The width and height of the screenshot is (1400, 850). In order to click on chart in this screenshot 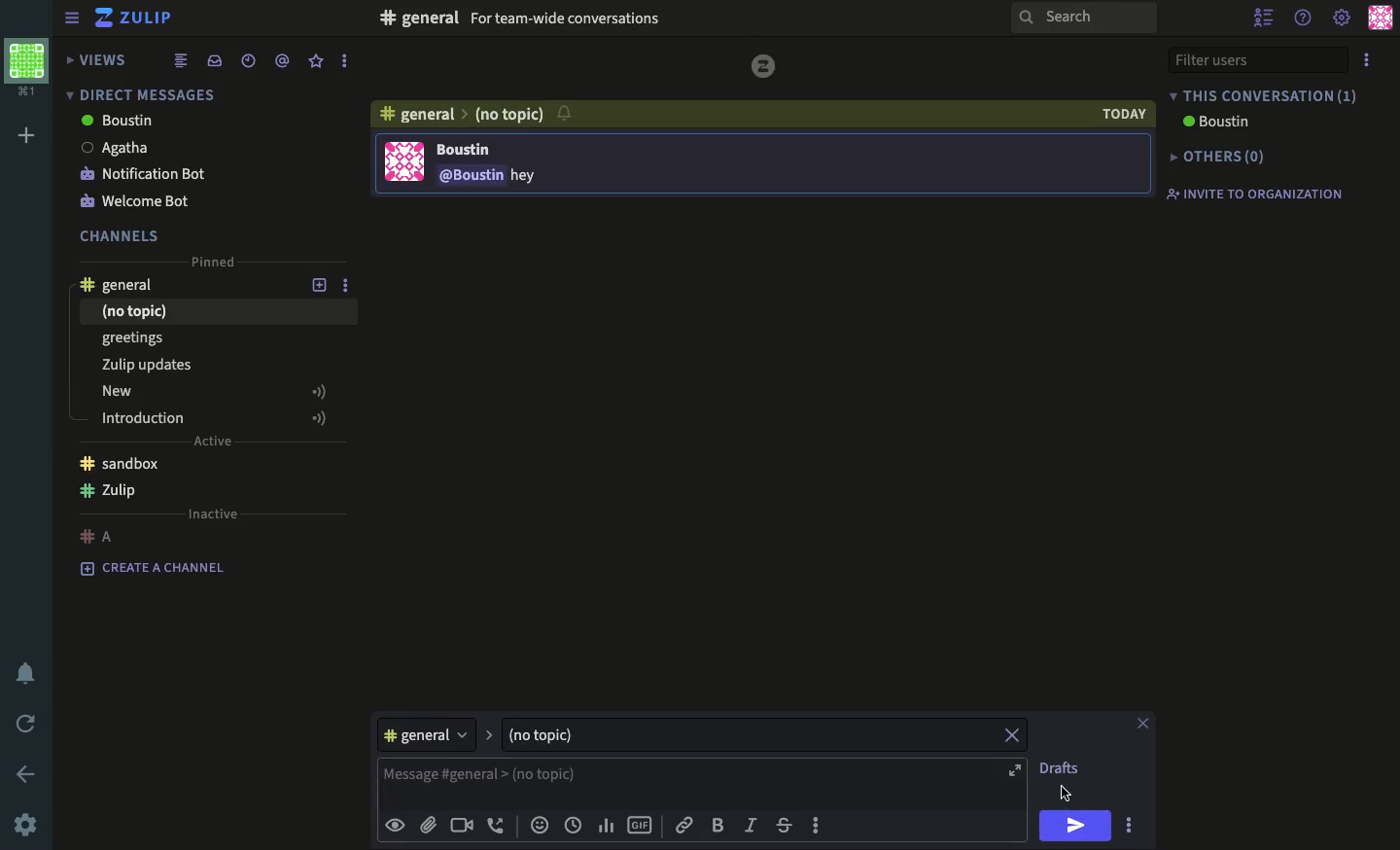, I will do `click(609, 826)`.